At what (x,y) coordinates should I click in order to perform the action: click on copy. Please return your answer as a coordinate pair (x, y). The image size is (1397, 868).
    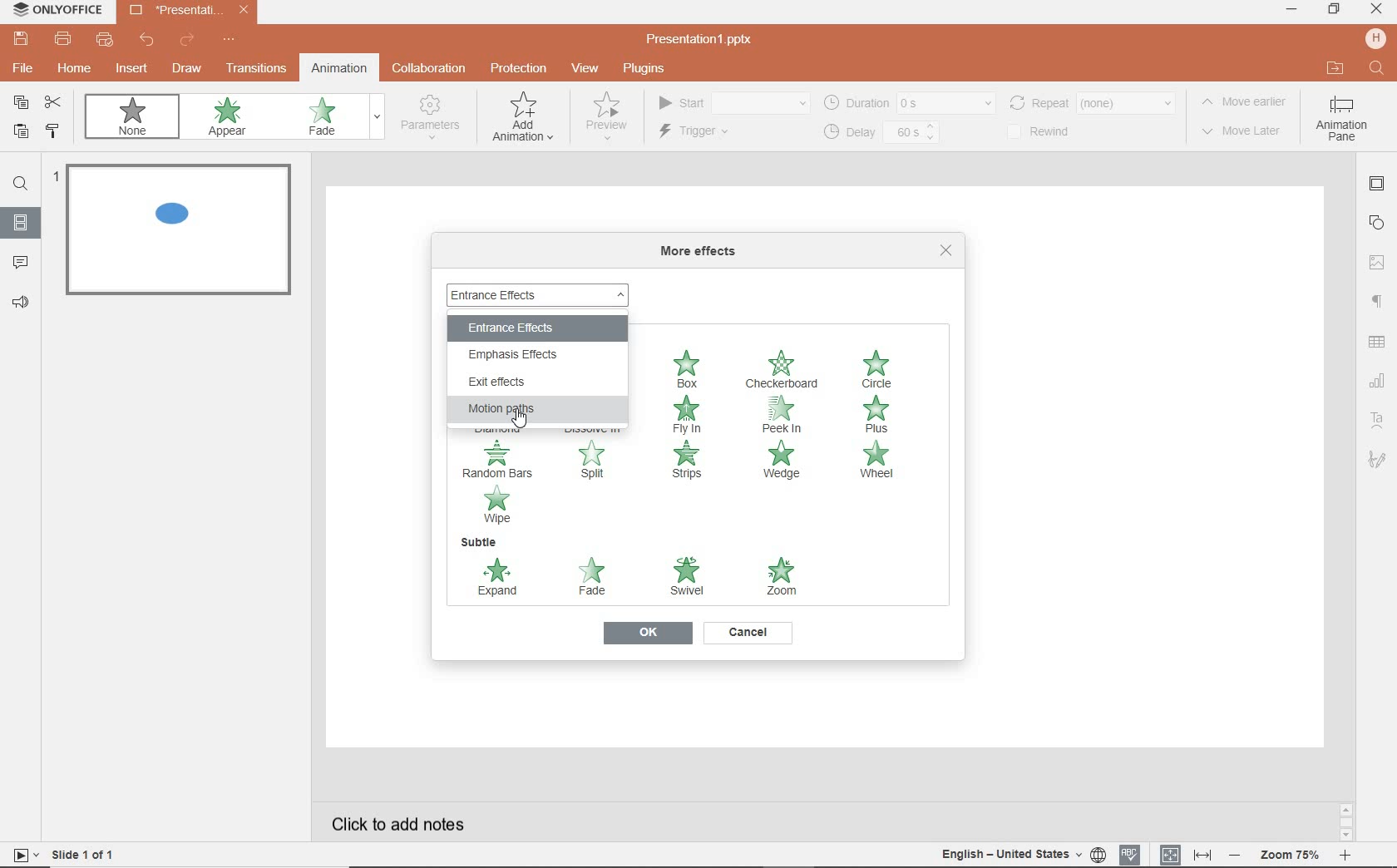
    Looking at the image, I should click on (22, 102).